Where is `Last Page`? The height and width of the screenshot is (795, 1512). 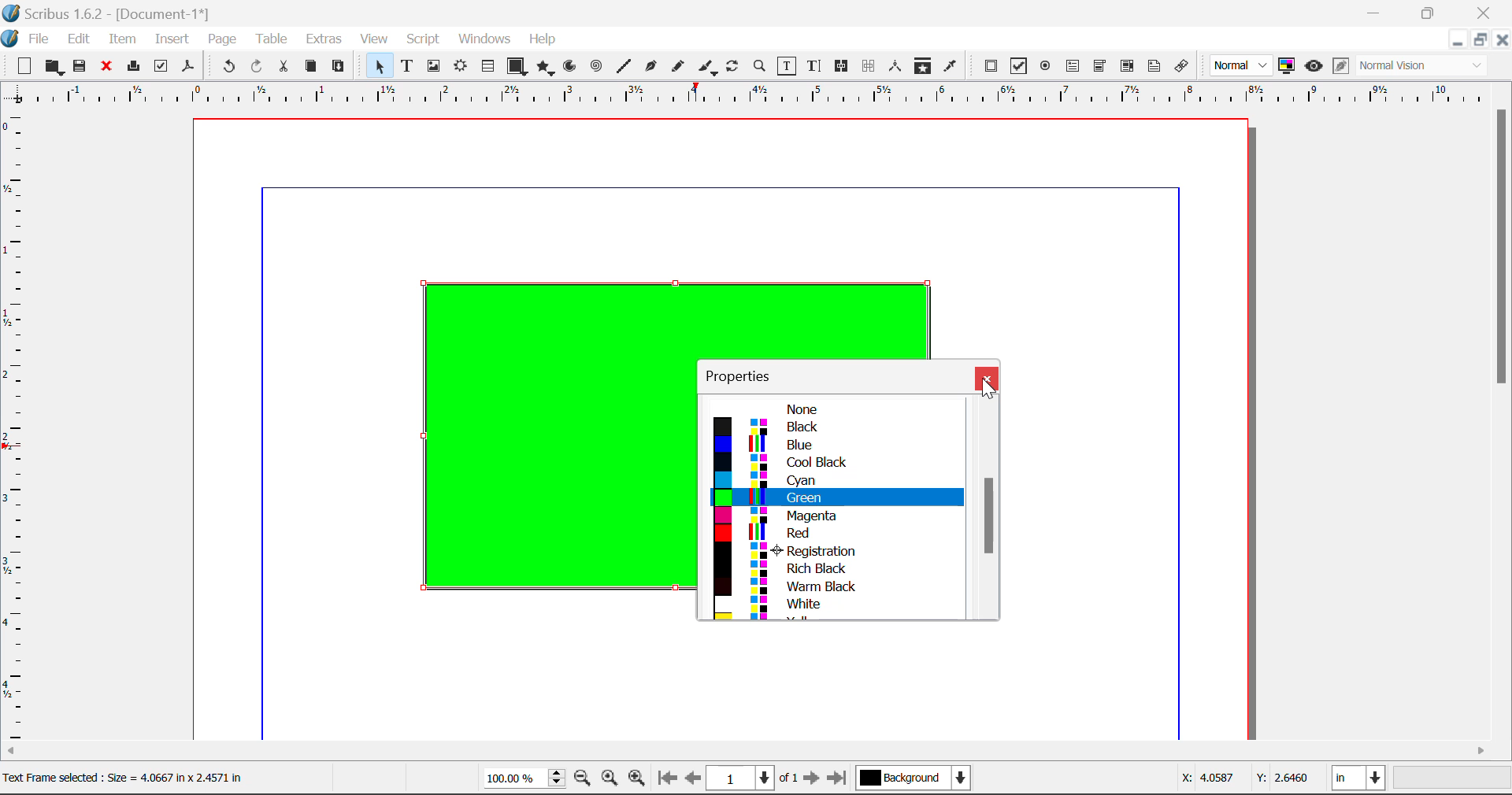
Last Page is located at coordinates (839, 780).